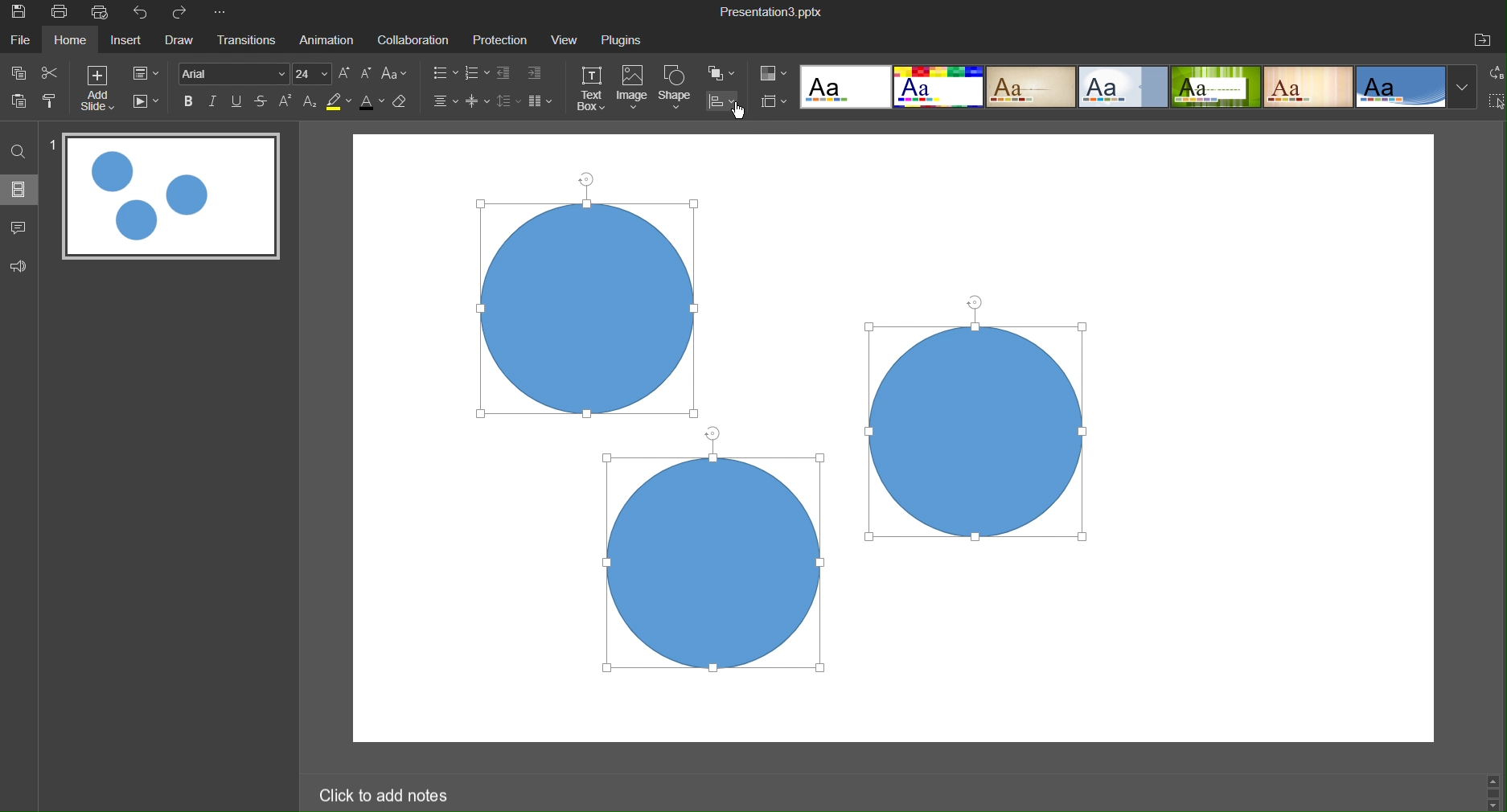 Image resolution: width=1507 pixels, height=812 pixels. Describe the element at coordinates (727, 103) in the screenshot. I see `Distribute` at that location.